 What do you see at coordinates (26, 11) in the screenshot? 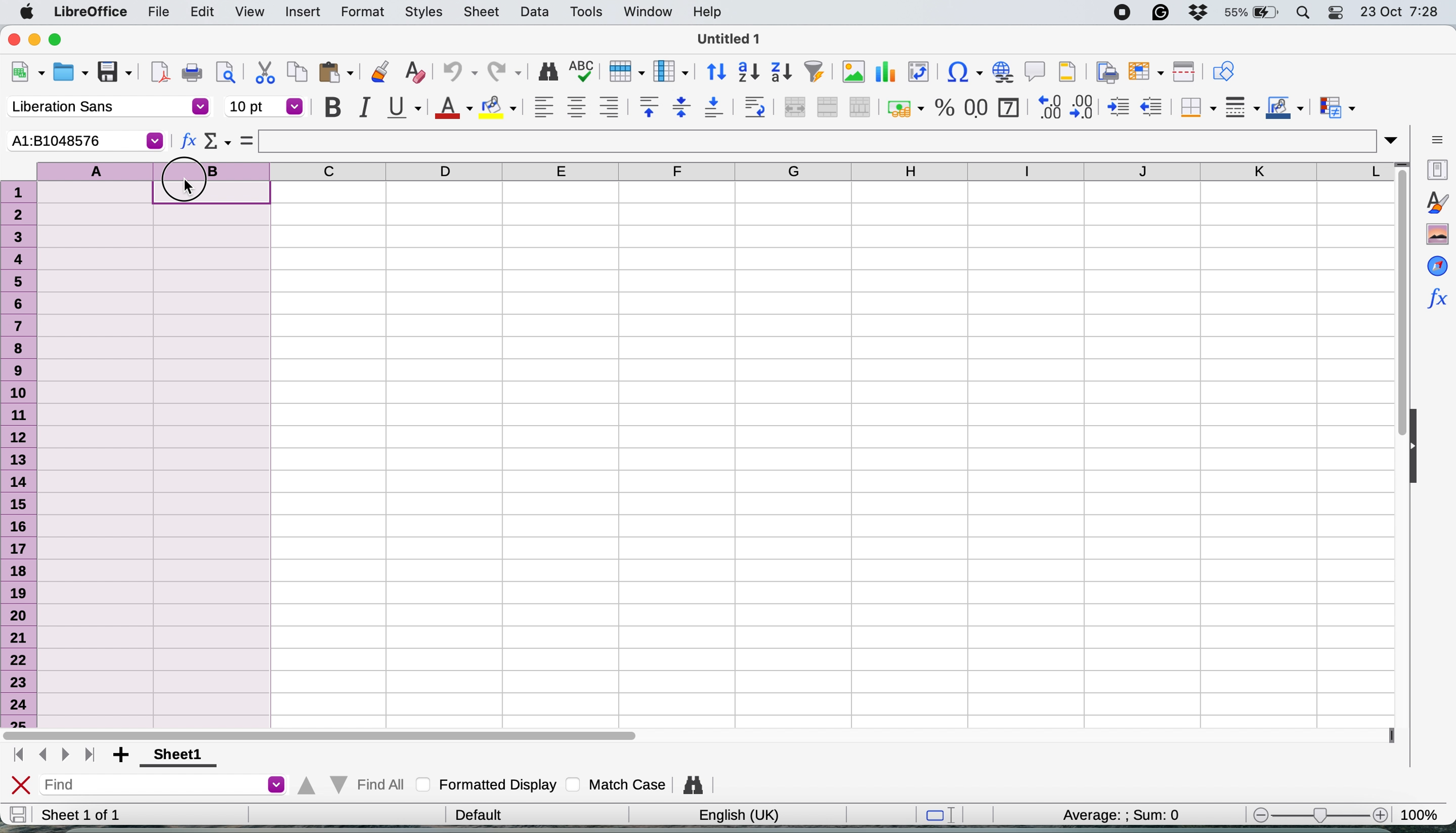
I see `system logo` at bounding box center [26, 11].